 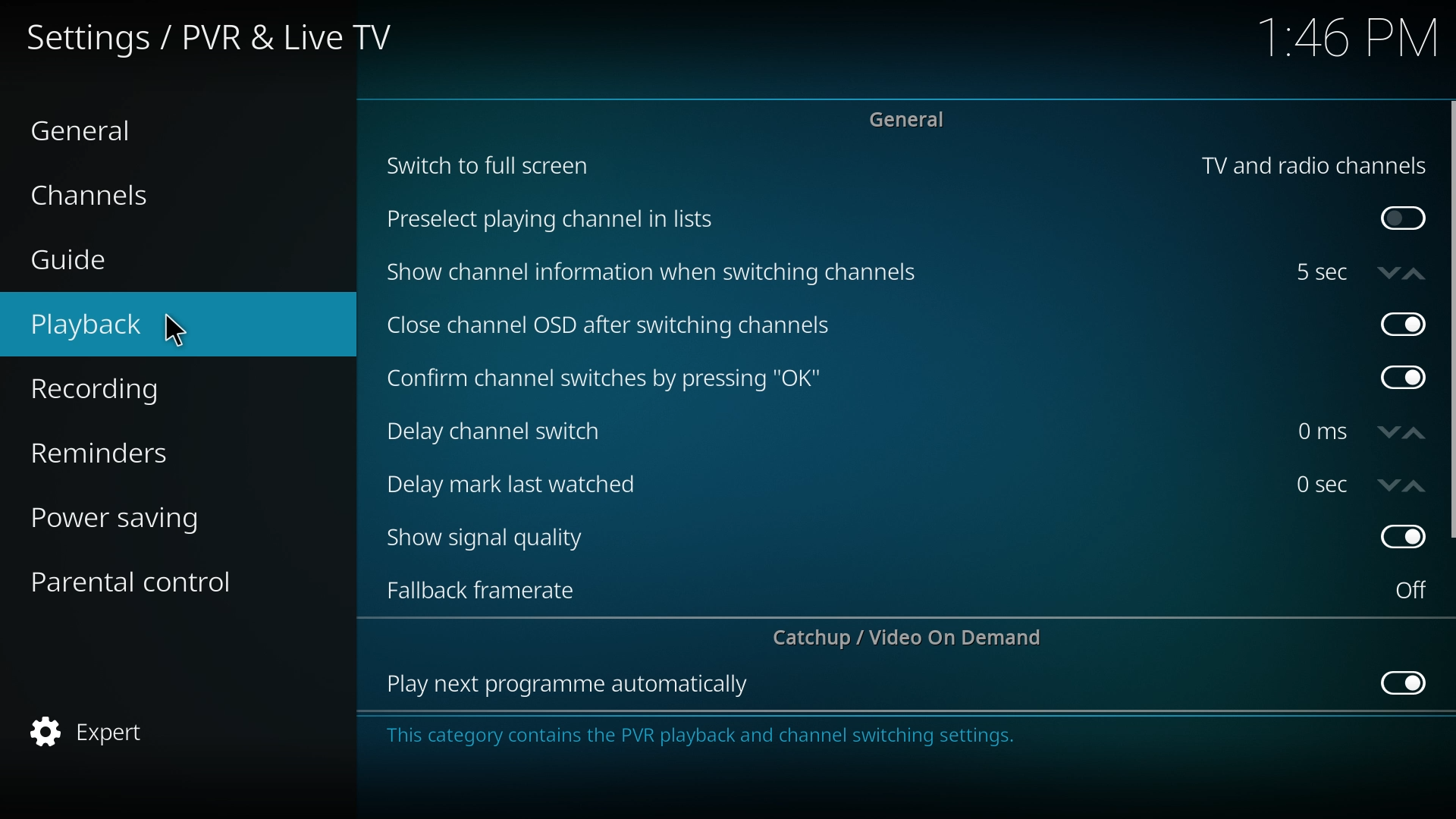 What do you see at coordinates (570, 686) in the screenshot?
I see `play next program automatically` at bounding box center [570, 686].